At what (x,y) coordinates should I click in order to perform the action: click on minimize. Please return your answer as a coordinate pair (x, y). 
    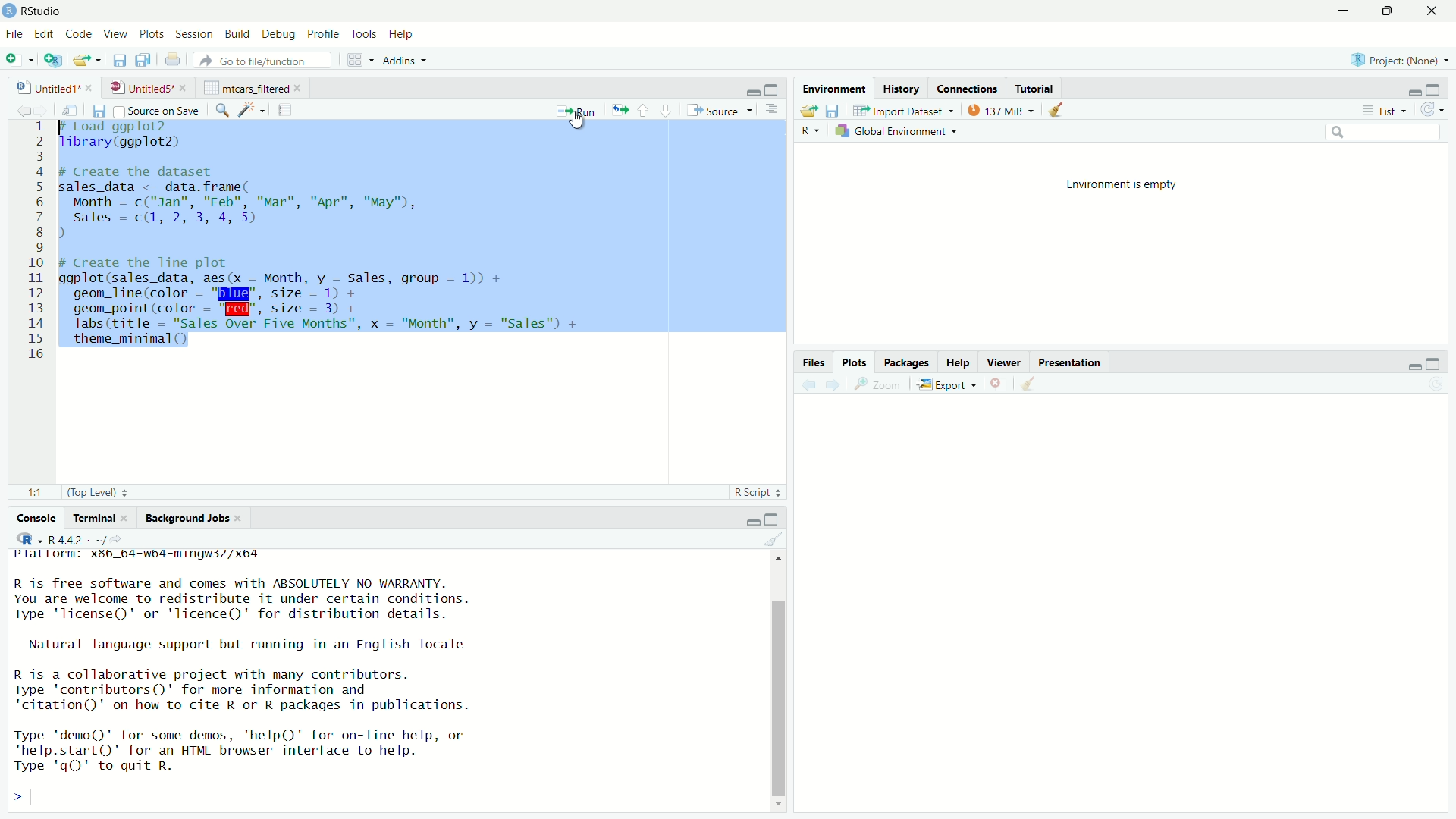
    Looking at the image, I should click on (1414, 90).